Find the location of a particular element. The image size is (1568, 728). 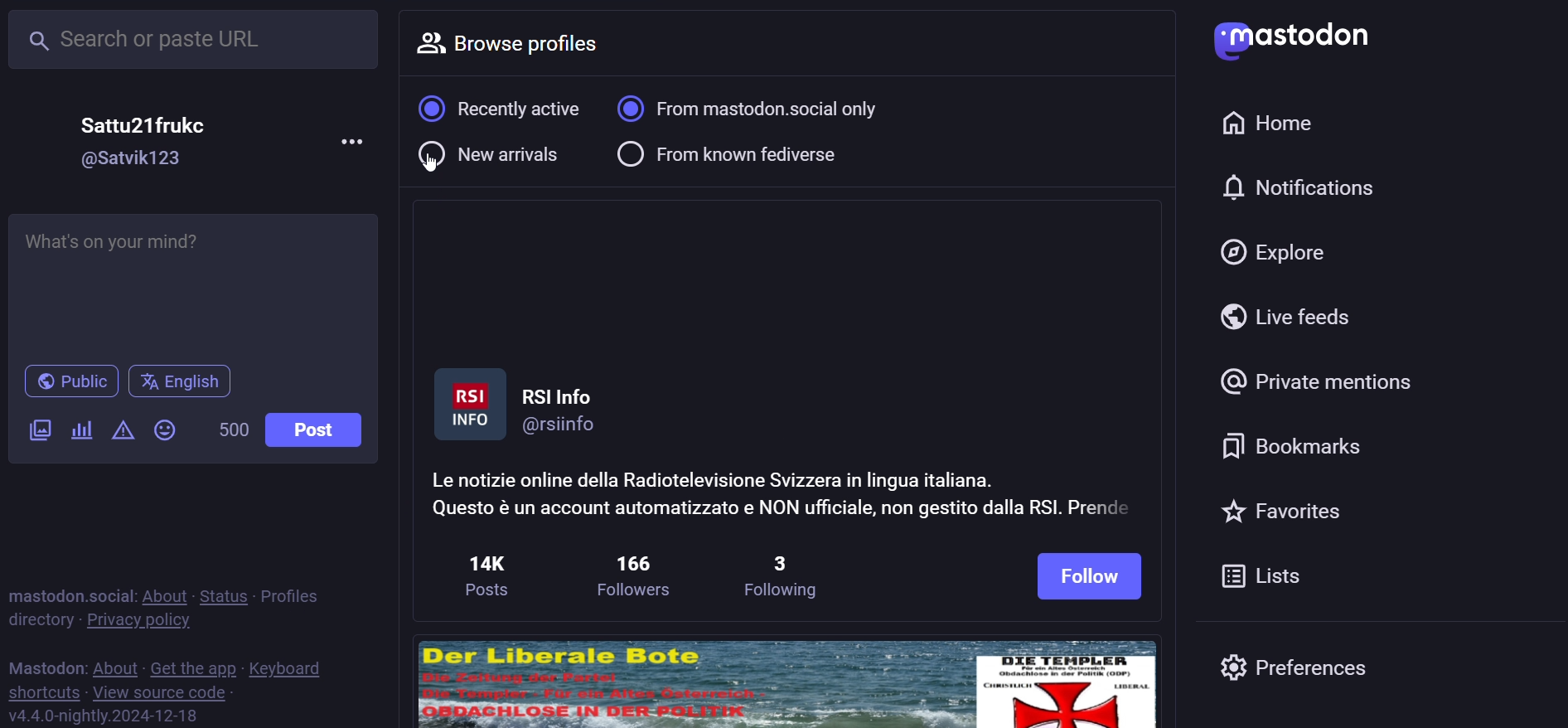

explore is located at coordinates (1285, 250).